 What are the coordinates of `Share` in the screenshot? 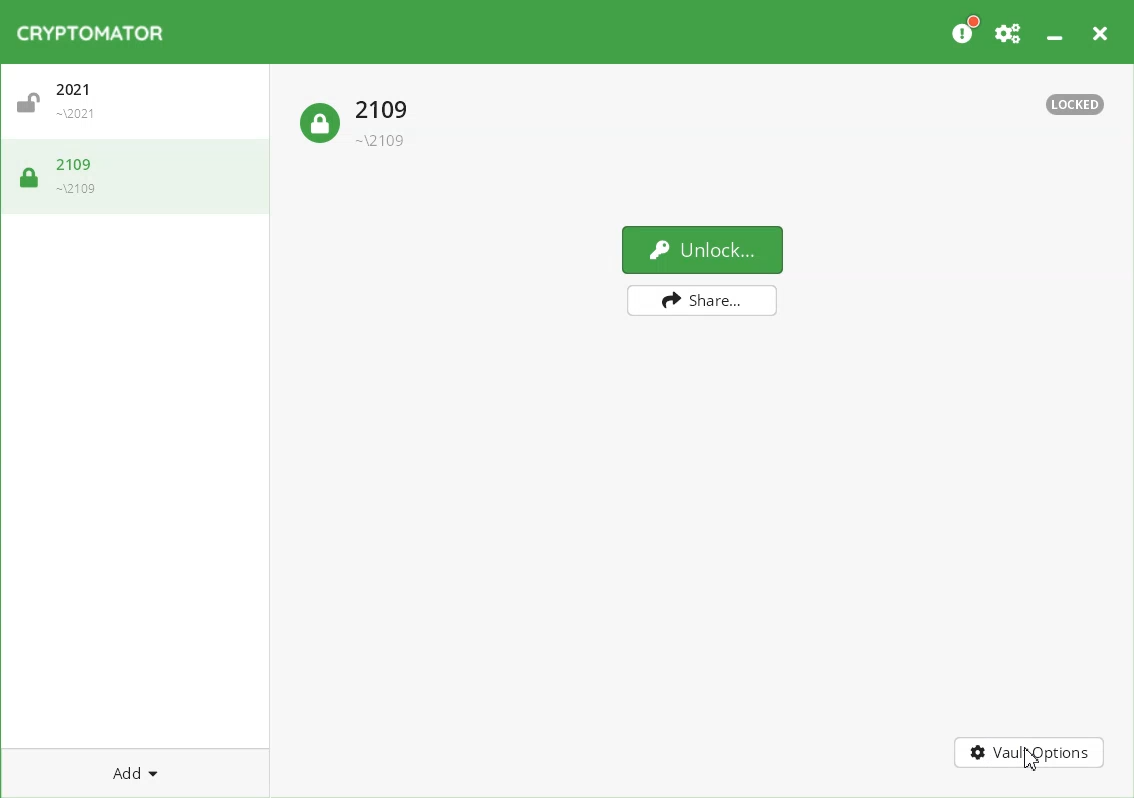 It's located at (703, 301).